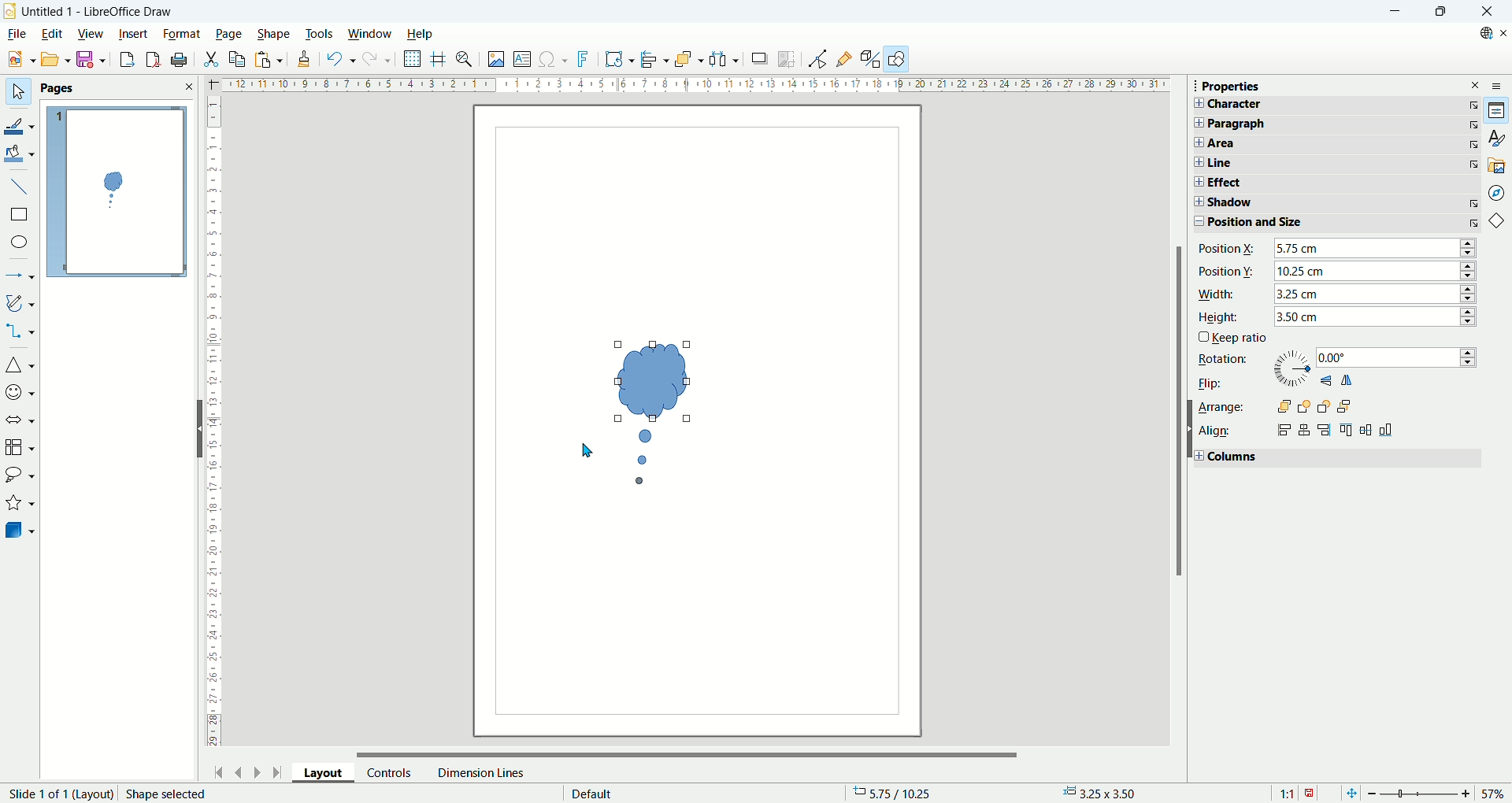 The height and width of the screenshot is (803, 1512). Describe the element at coordinates (688, 750) in the screenshot. I see `Horizontal scroll bar` at that location.